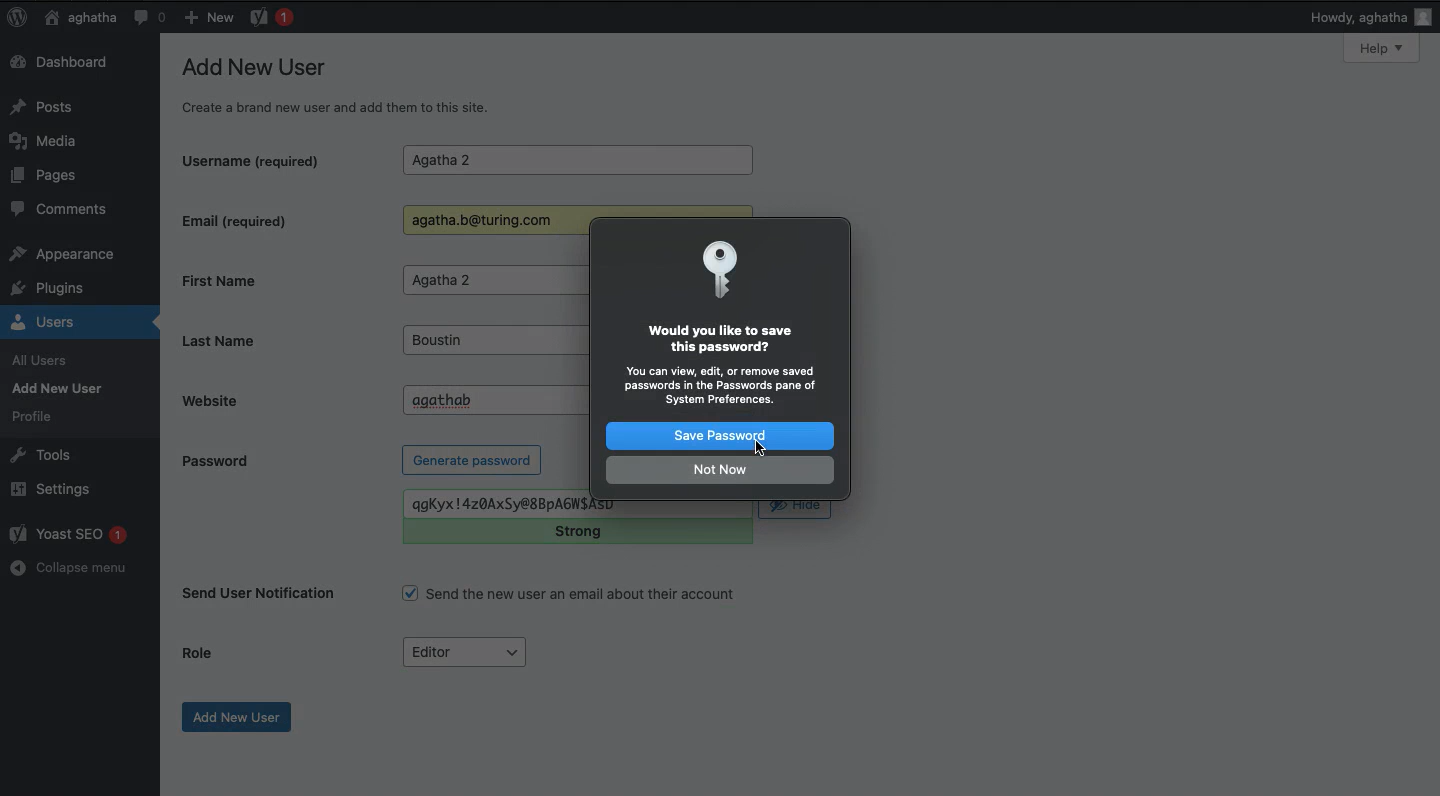 The height and width of the screenshot is (796, 1440). Describe the element at coordinates (63, 256) in the screenshot. I see `appearance` at that location.